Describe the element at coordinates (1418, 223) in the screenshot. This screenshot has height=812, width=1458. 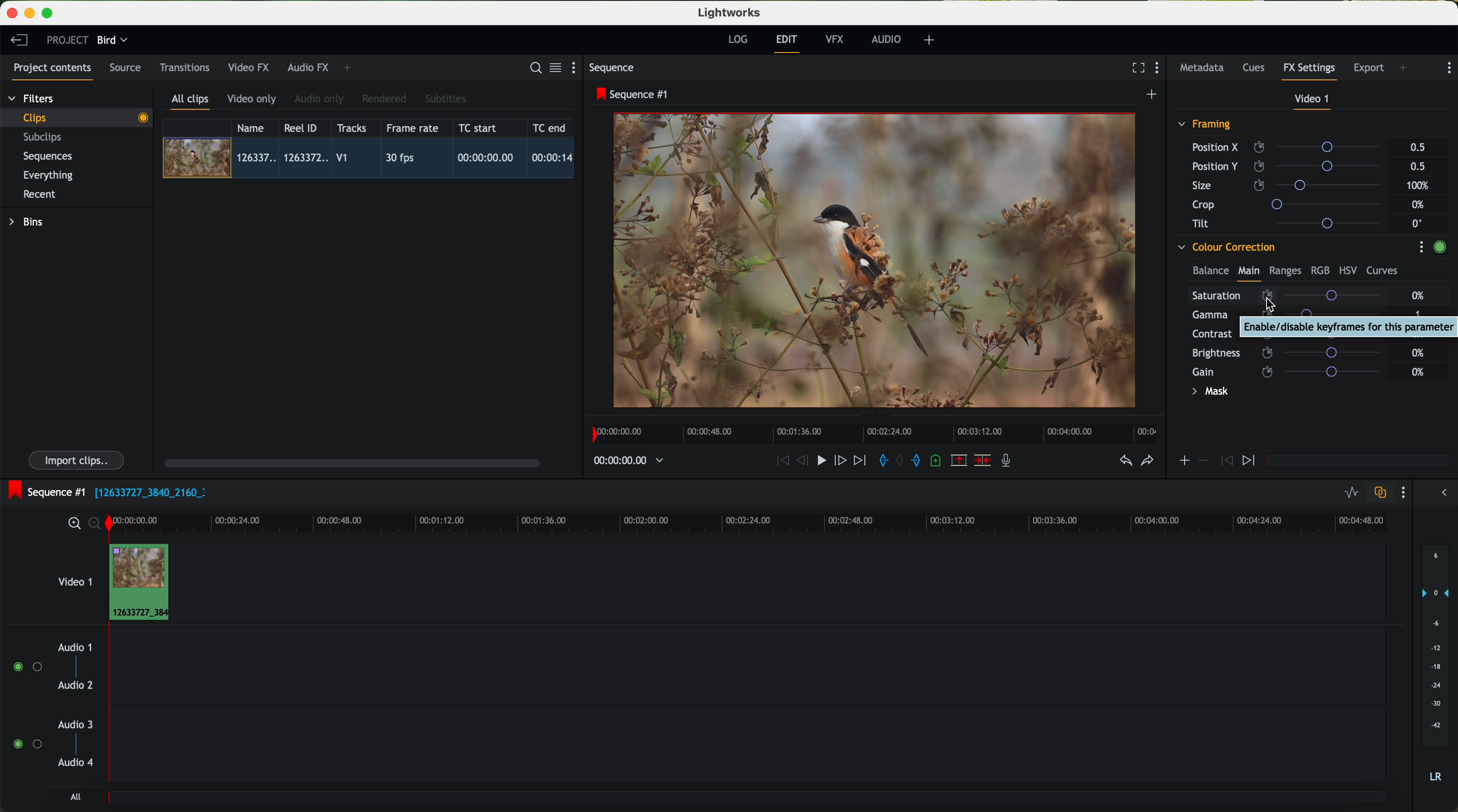
I see `0°` at that location.